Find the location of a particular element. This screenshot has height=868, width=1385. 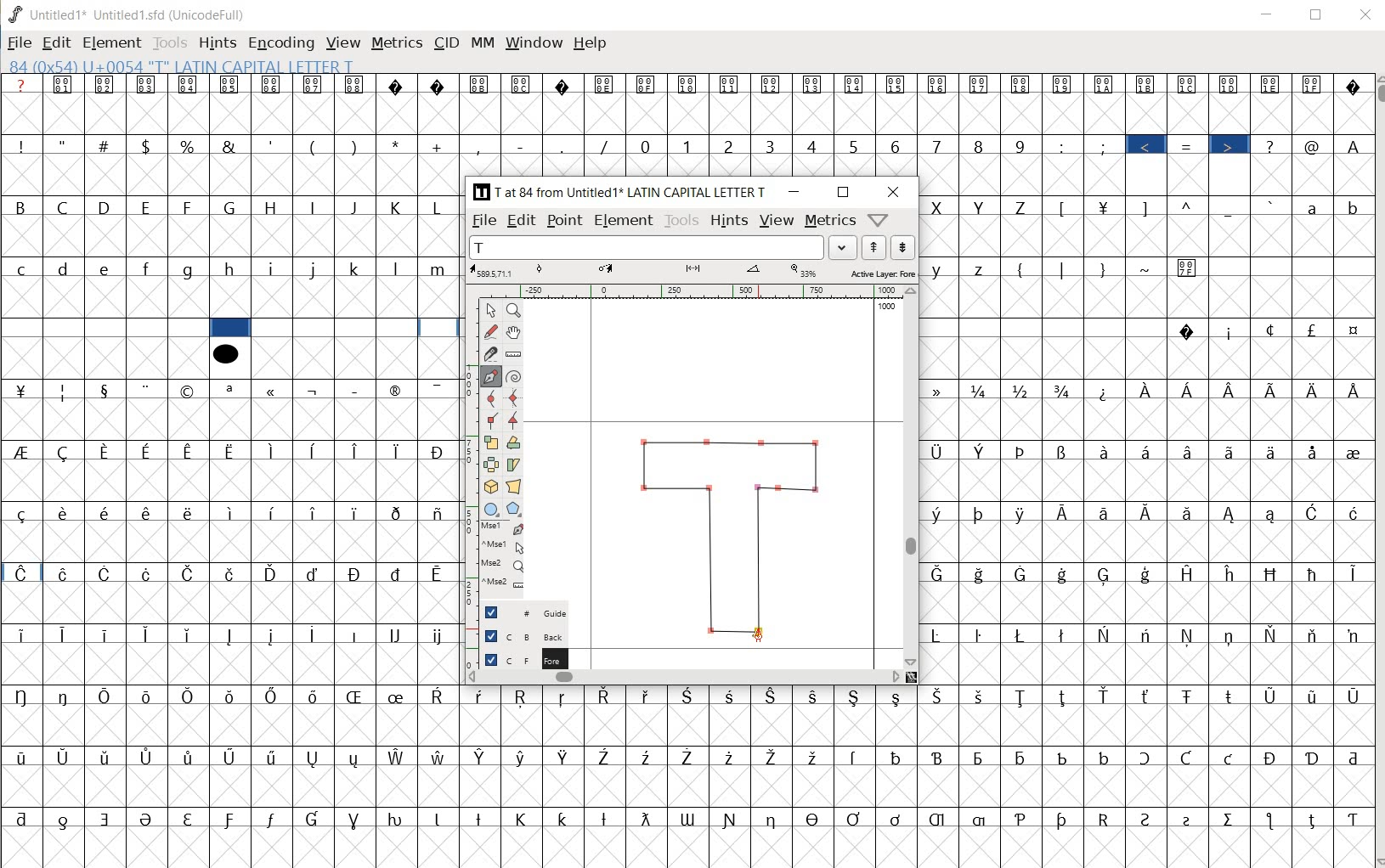

scale is located at coordinates (492, 440).